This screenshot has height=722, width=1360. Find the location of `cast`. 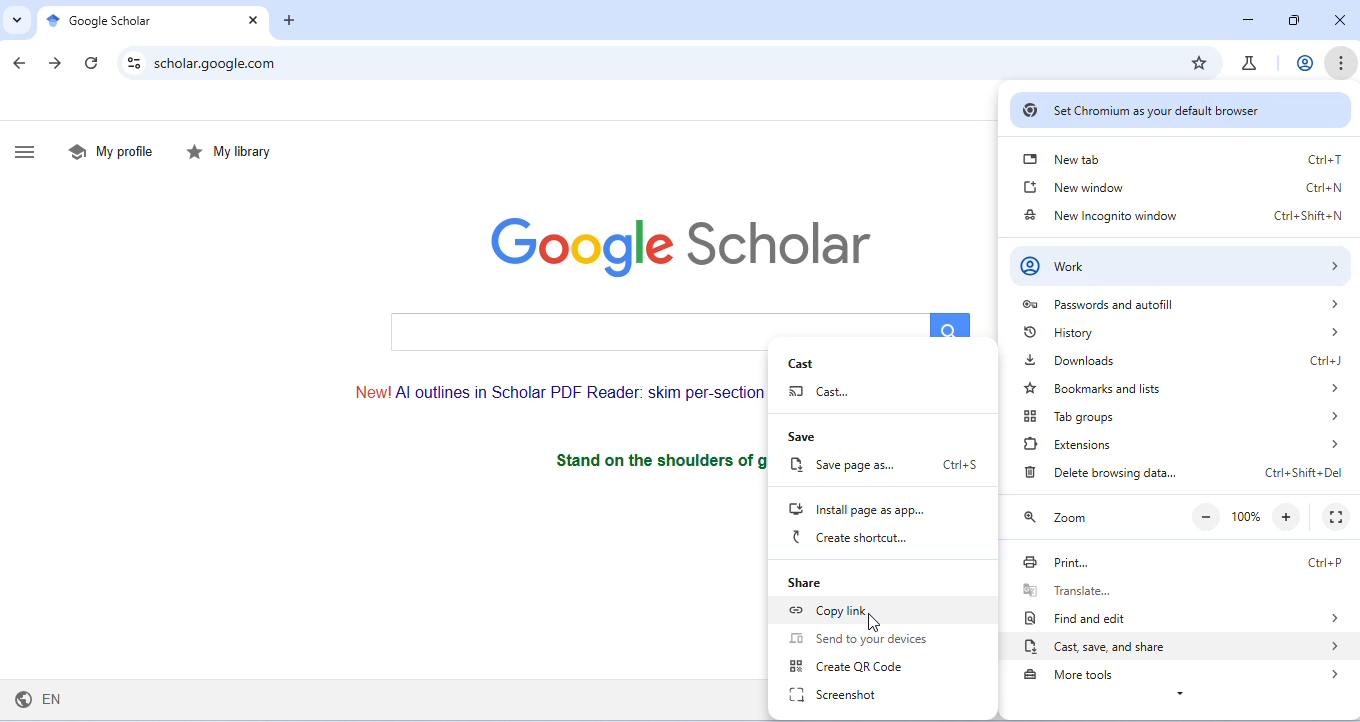

cast is located at coordinates (827, 362).